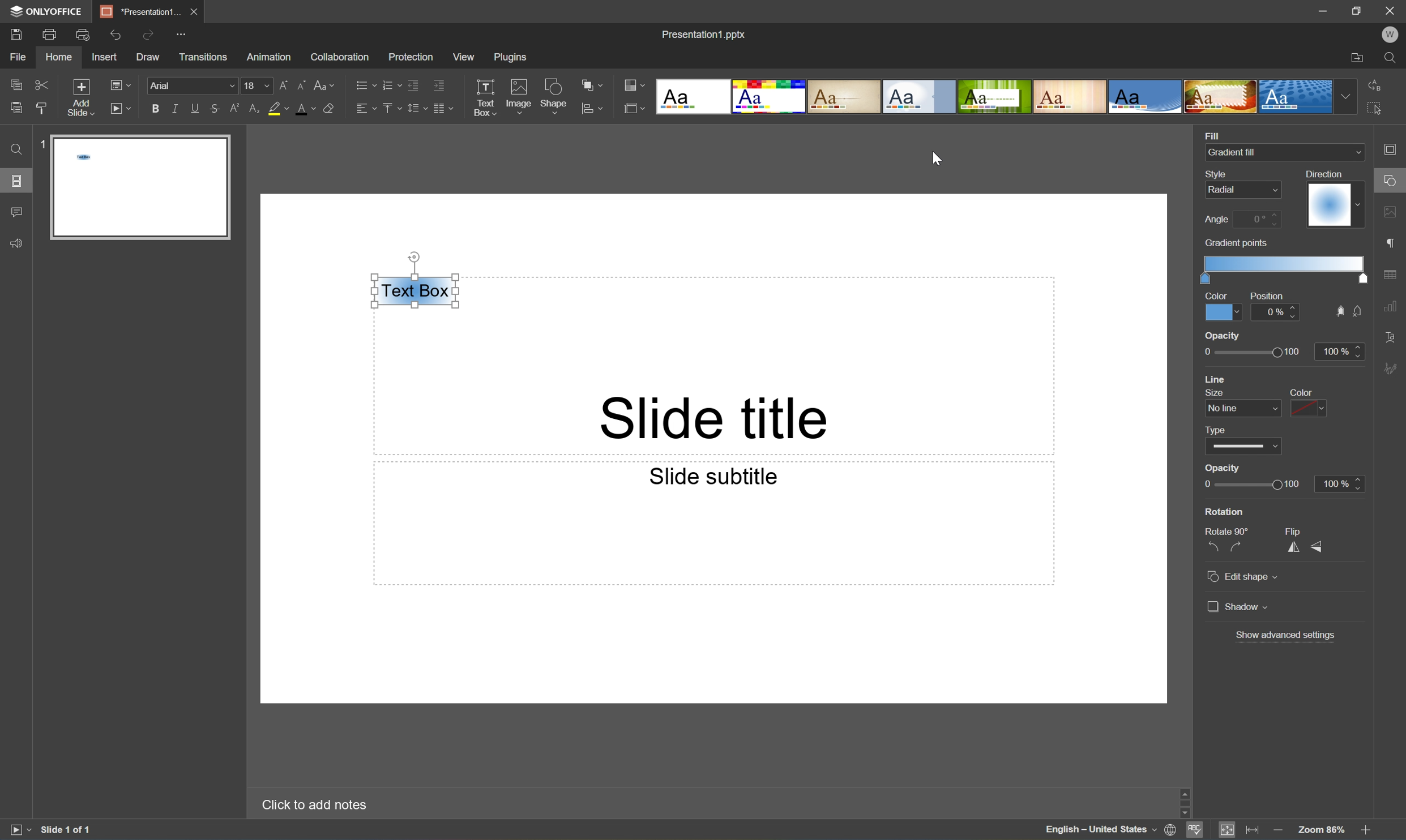  I want to click on Presentation1.pptx, so click(706, 36).